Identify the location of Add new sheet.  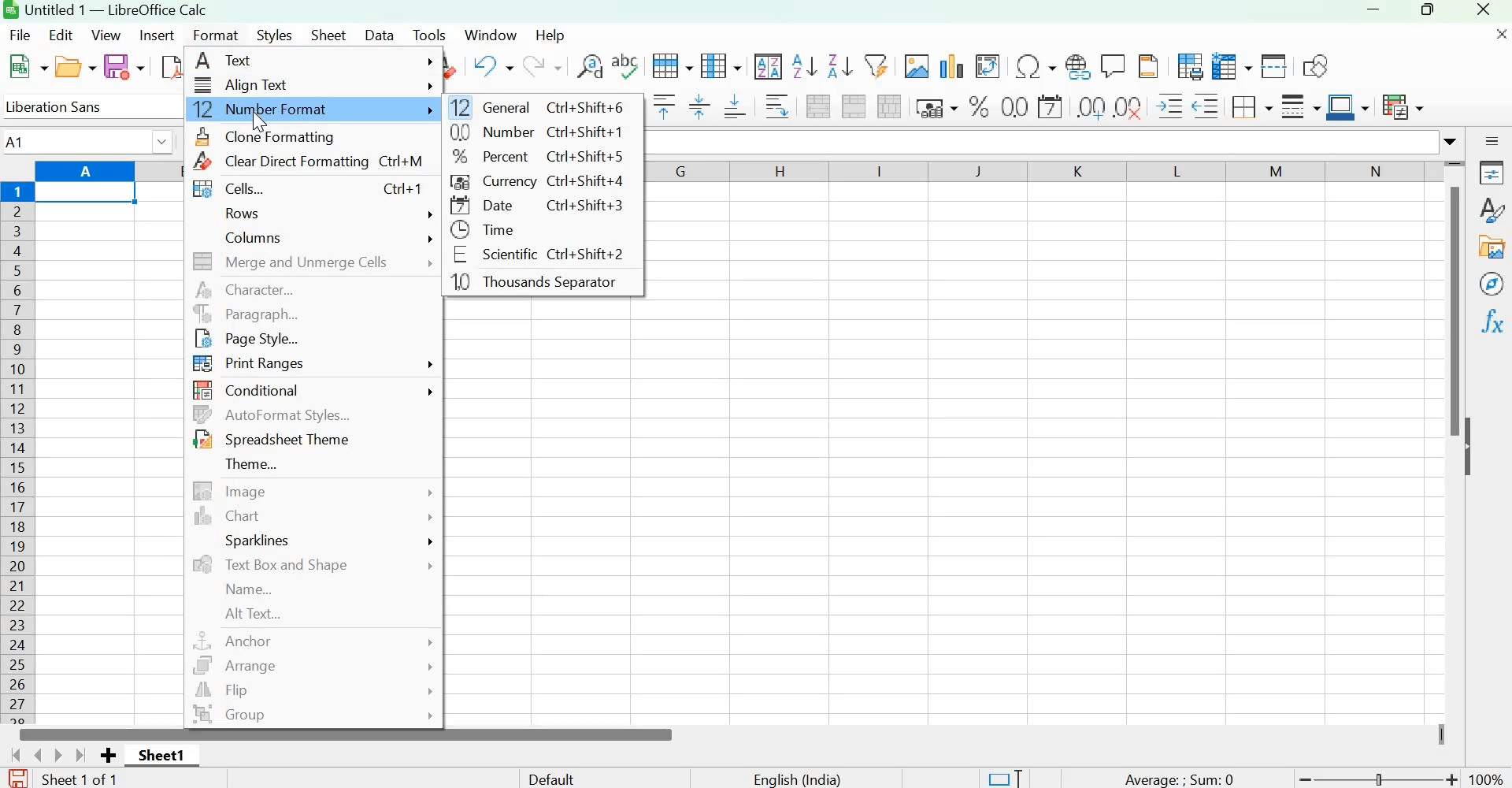
(108, 755).